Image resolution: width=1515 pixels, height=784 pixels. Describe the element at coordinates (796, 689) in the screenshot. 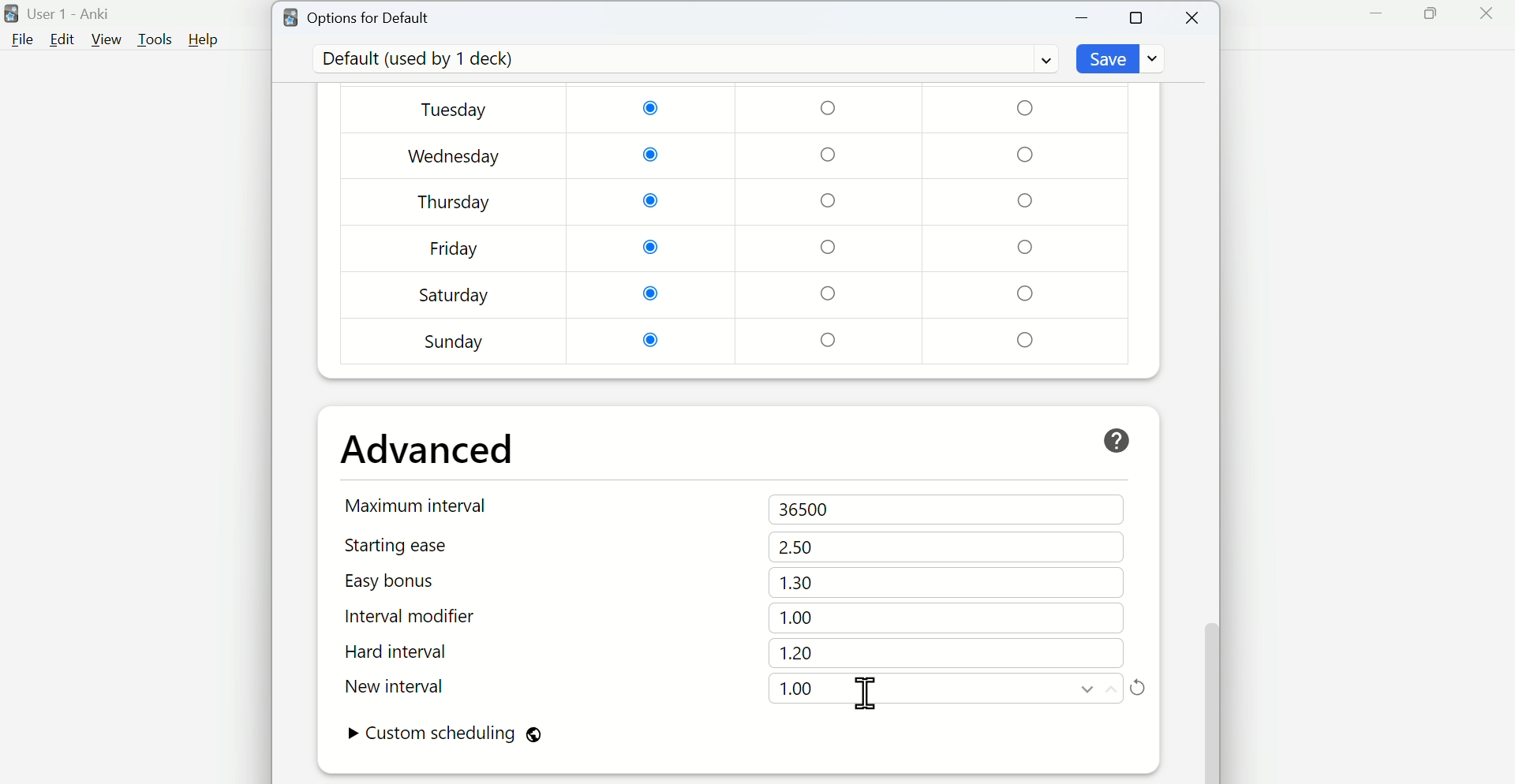

I see `1.00` at that location.